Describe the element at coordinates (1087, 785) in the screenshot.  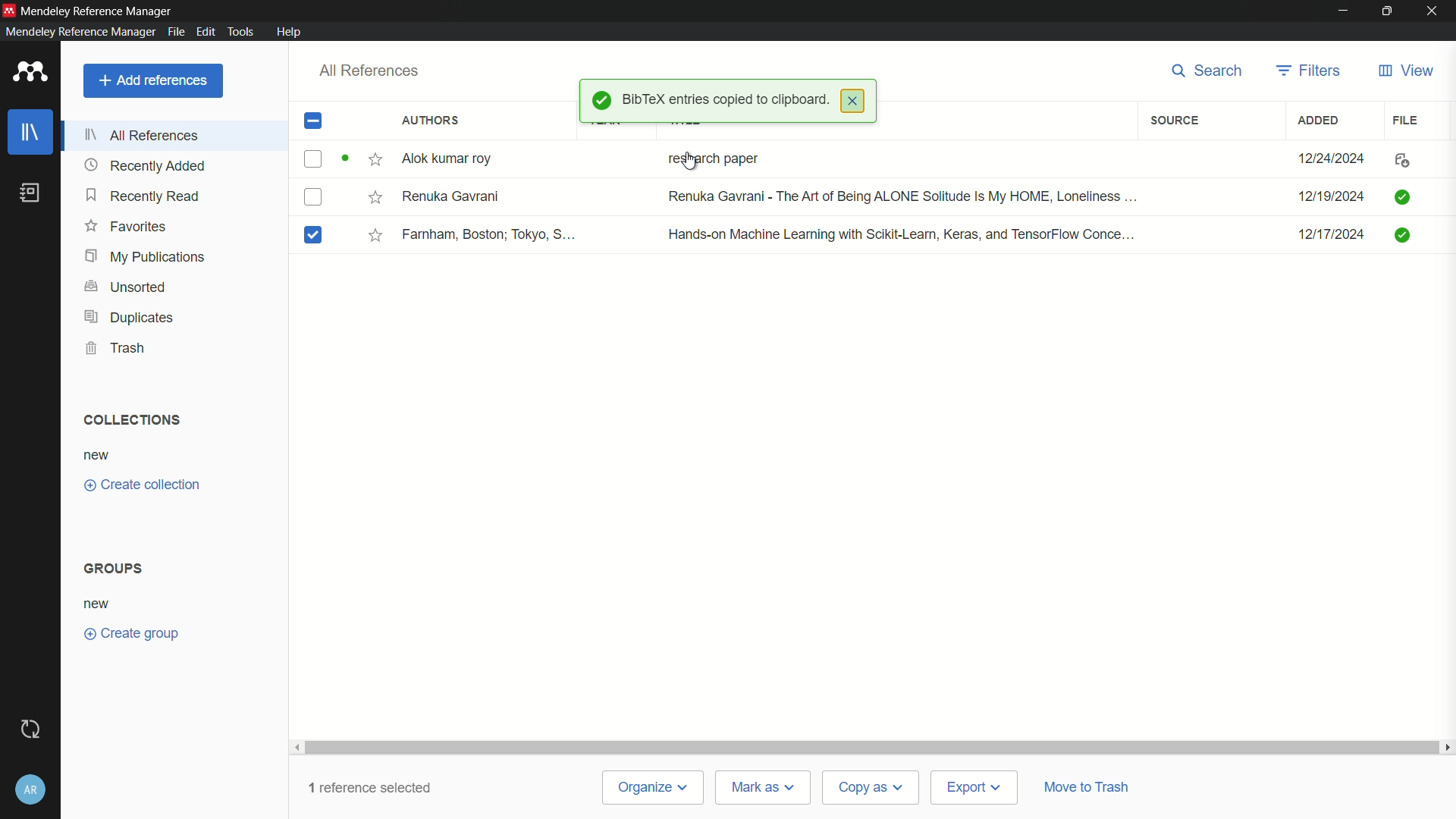
I see `move to trash` at that location.